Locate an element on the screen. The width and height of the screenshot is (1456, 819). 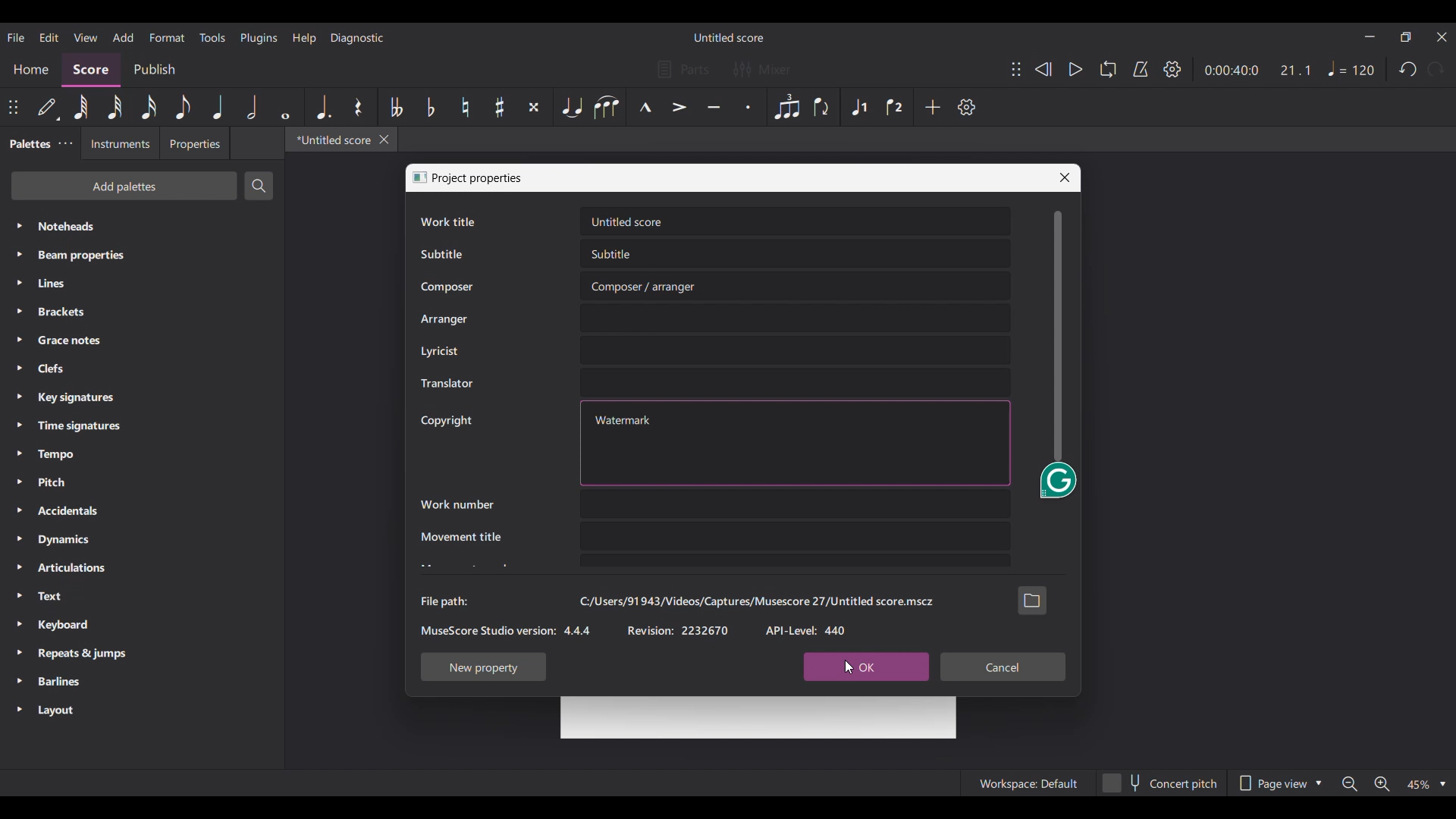
OK is located at coordinates (865, 667).